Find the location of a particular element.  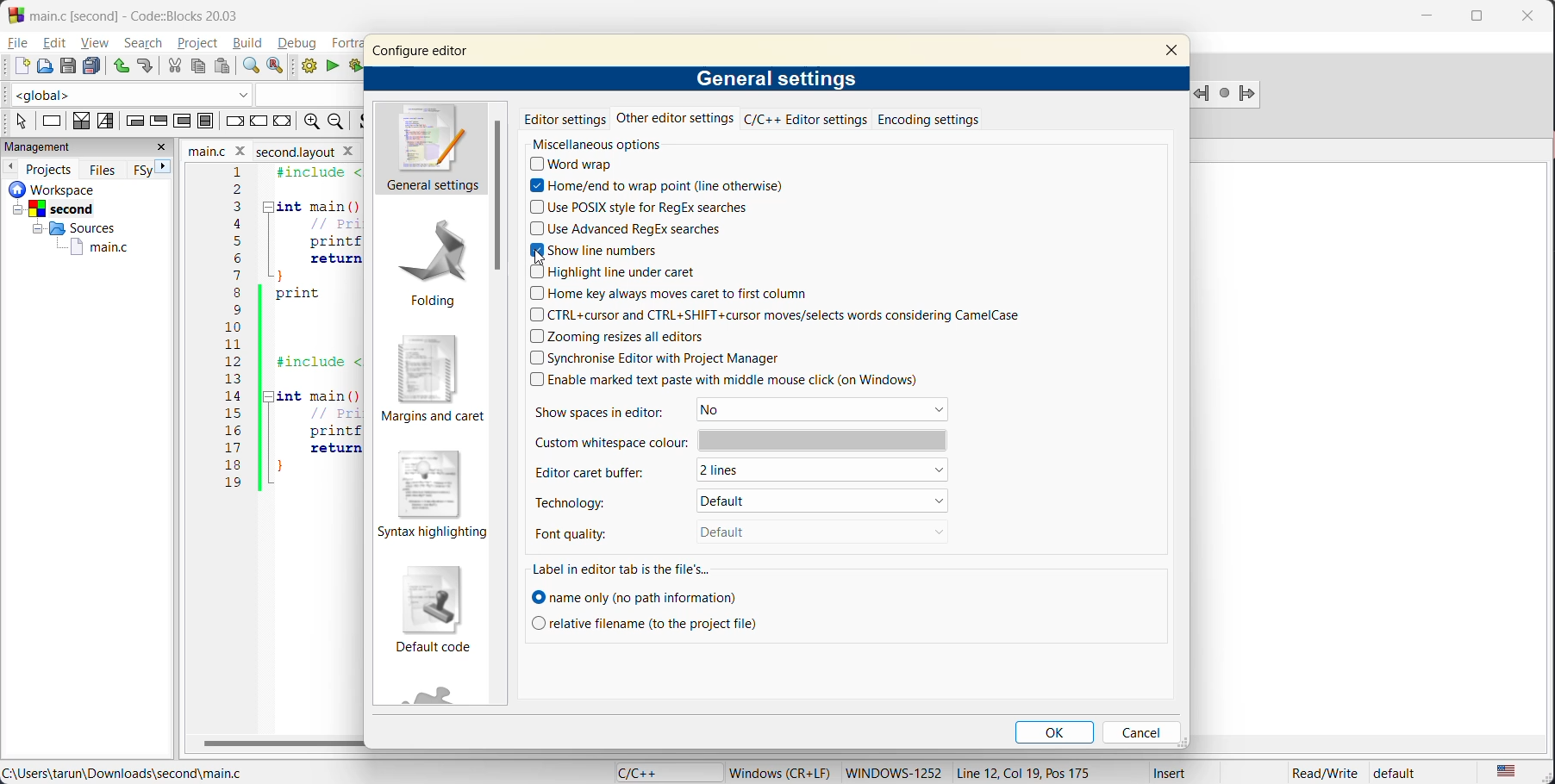

home/end to wrap point is located at coordinates (655, 185).